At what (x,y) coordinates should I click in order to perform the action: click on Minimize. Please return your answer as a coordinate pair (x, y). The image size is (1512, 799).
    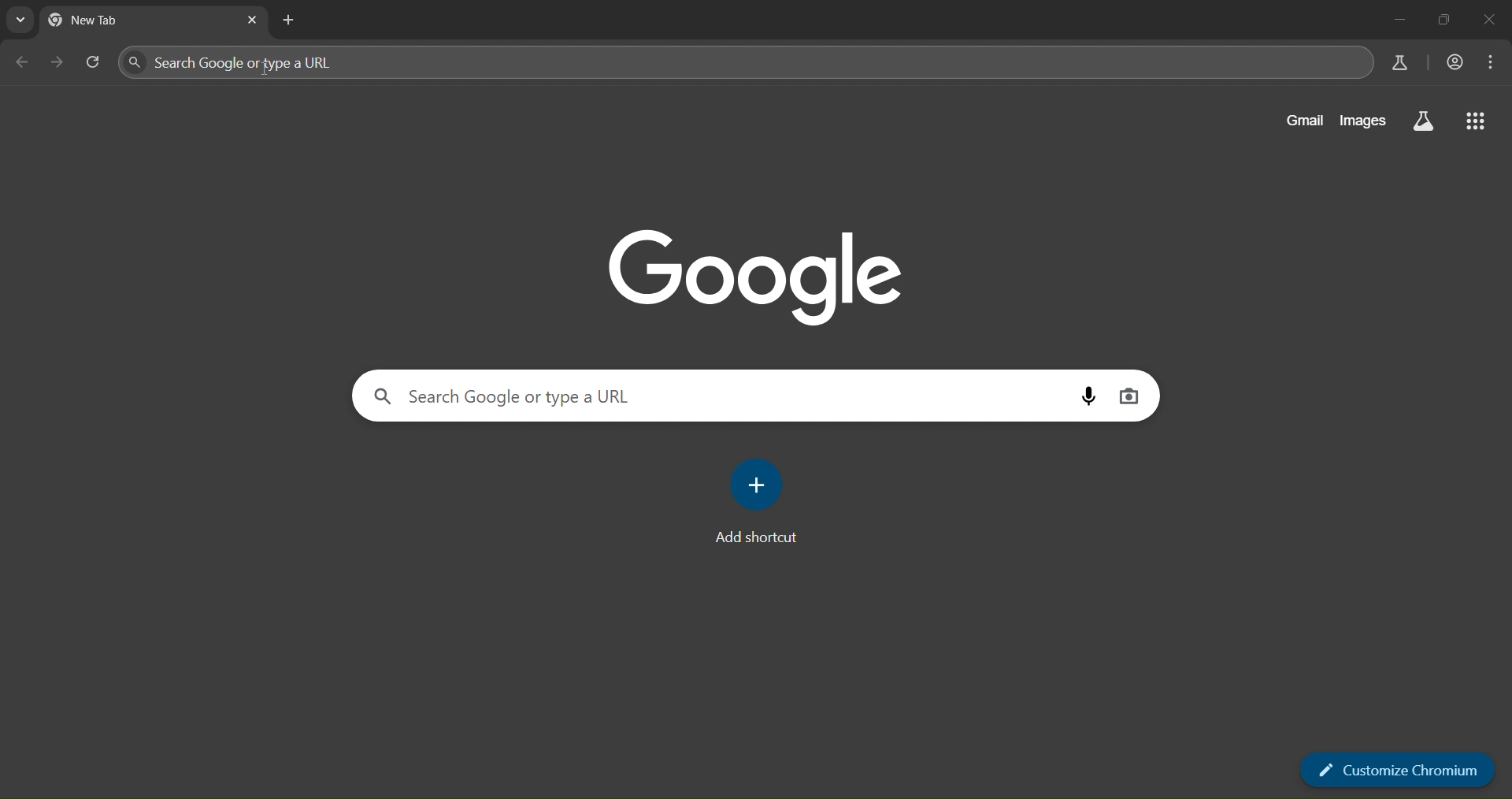
    Looking at the image, I should click on (1402, 19).